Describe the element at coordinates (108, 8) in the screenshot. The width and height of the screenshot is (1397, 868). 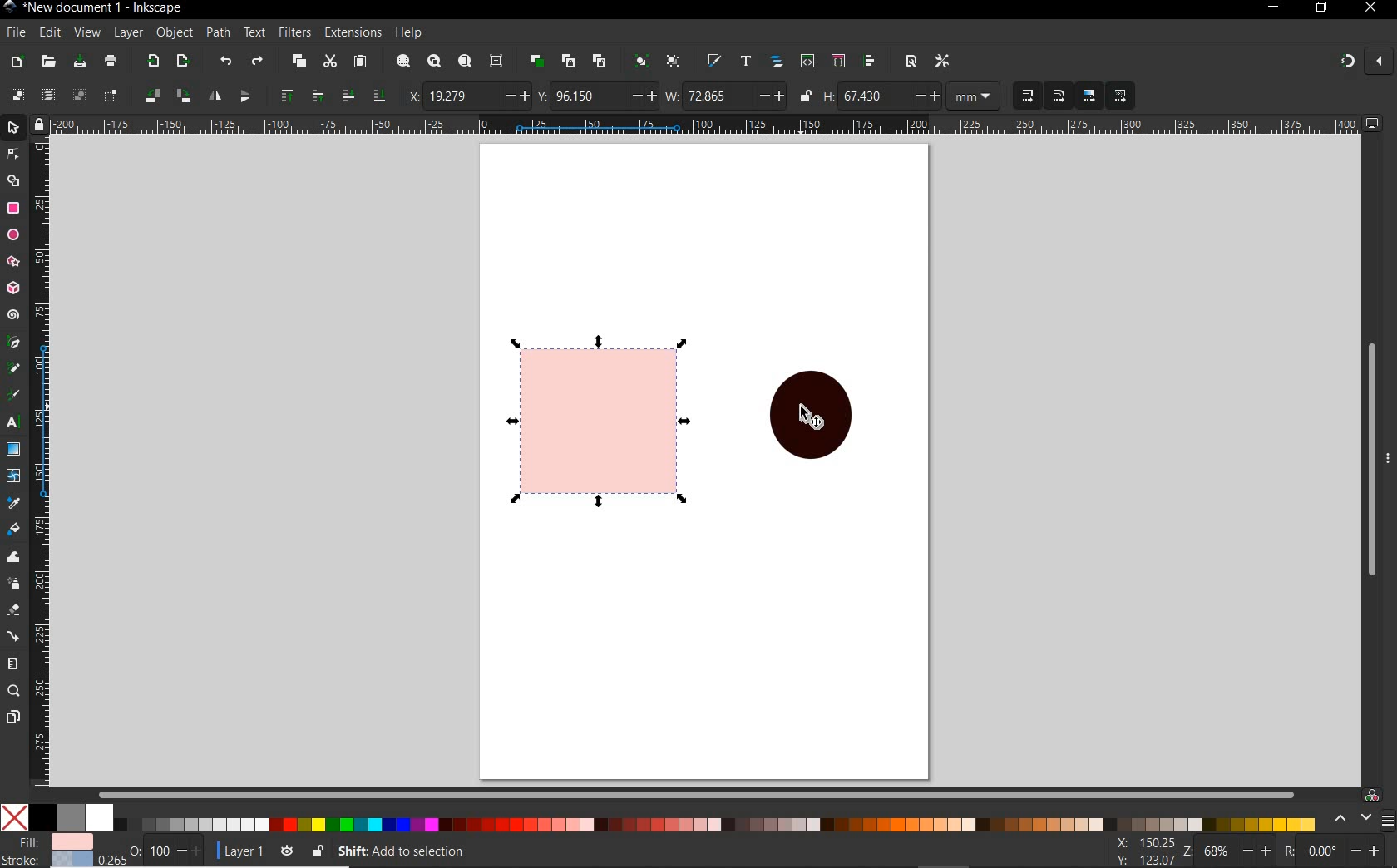
I see `new document 1` at that location.